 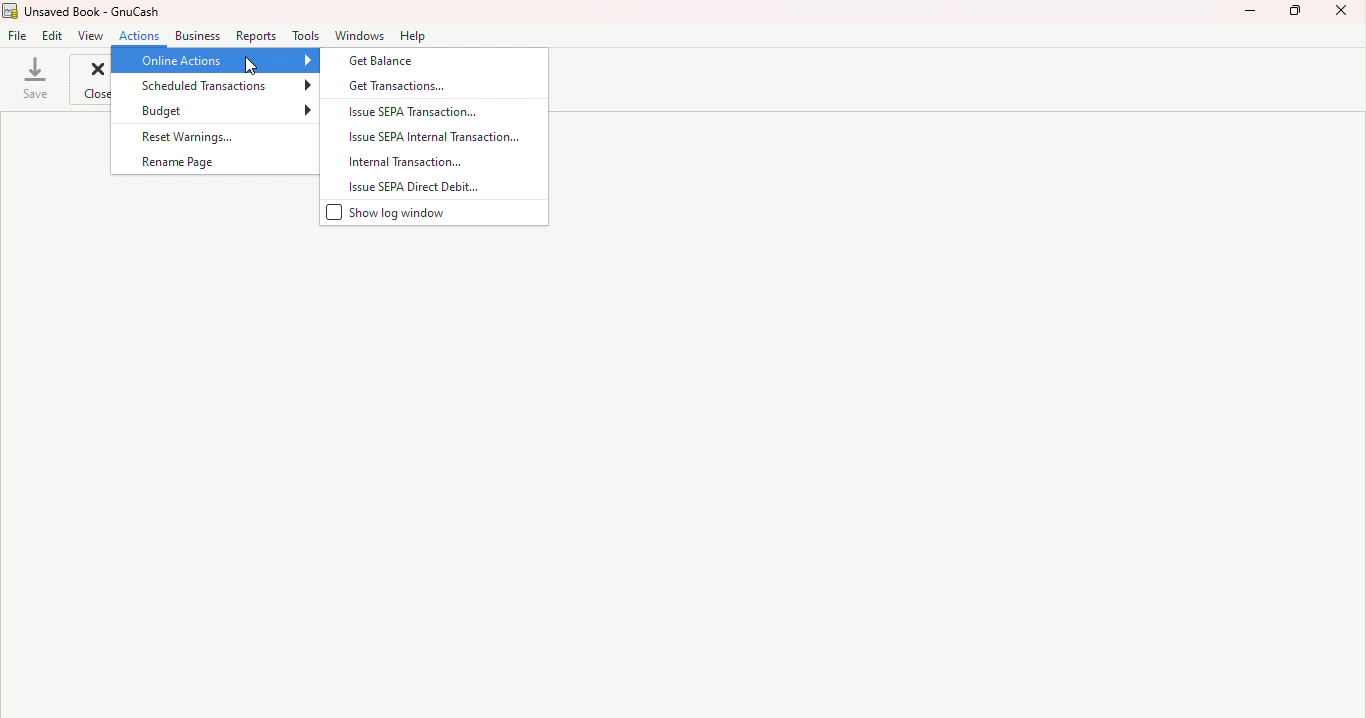 What do you see at coordinates (433, 162) in the screenshot?
I see `Internal transaction` at bounding box center [433, 162].